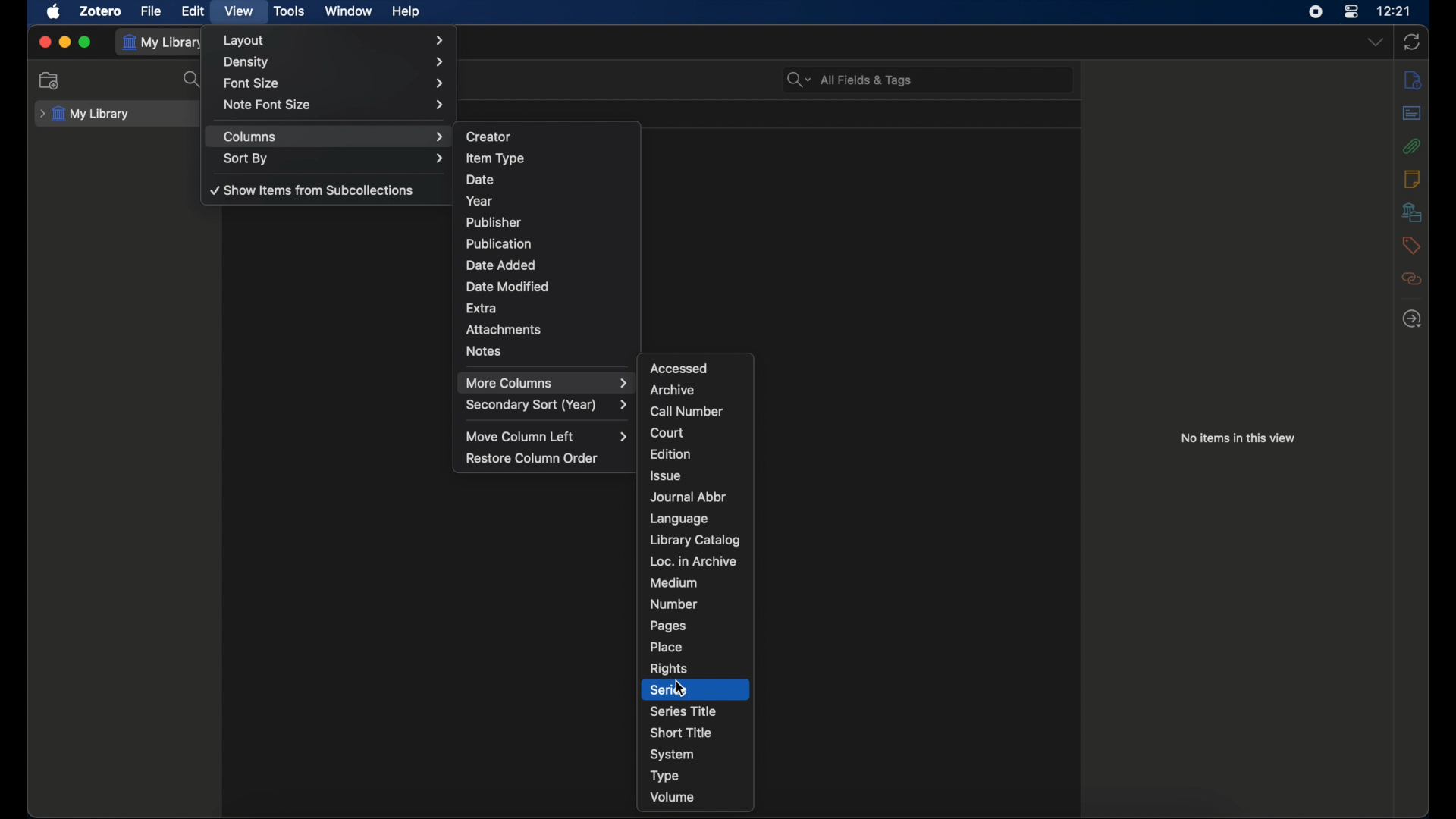  Describe the element at coordinates (1237, 438) in the screenshot. I see `no items in this view` at that location.